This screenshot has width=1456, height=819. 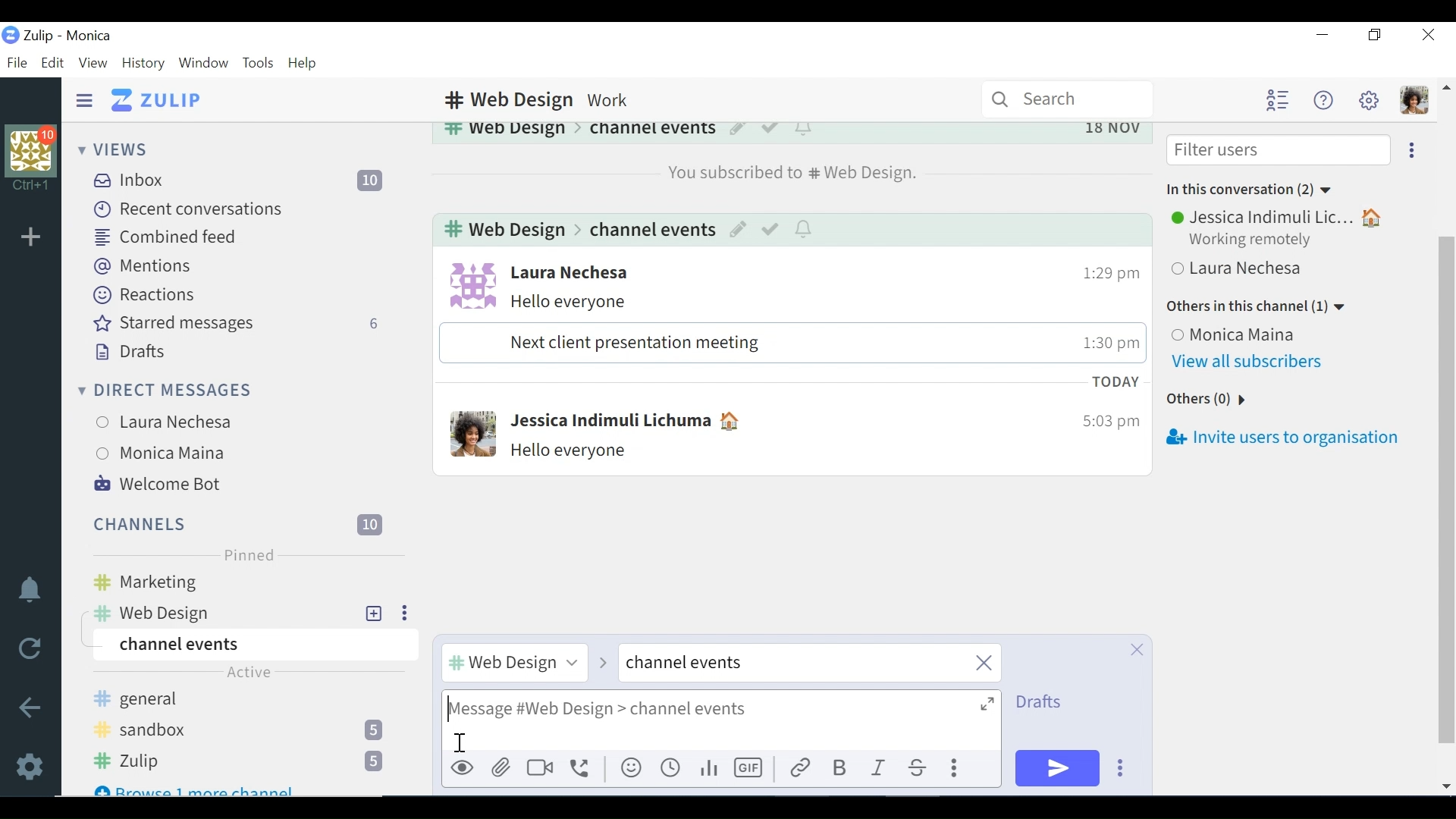 What do you see at coordinates (630, 769) in the screenshot?
I see `Add emoji` at bounding box center [630, 769].